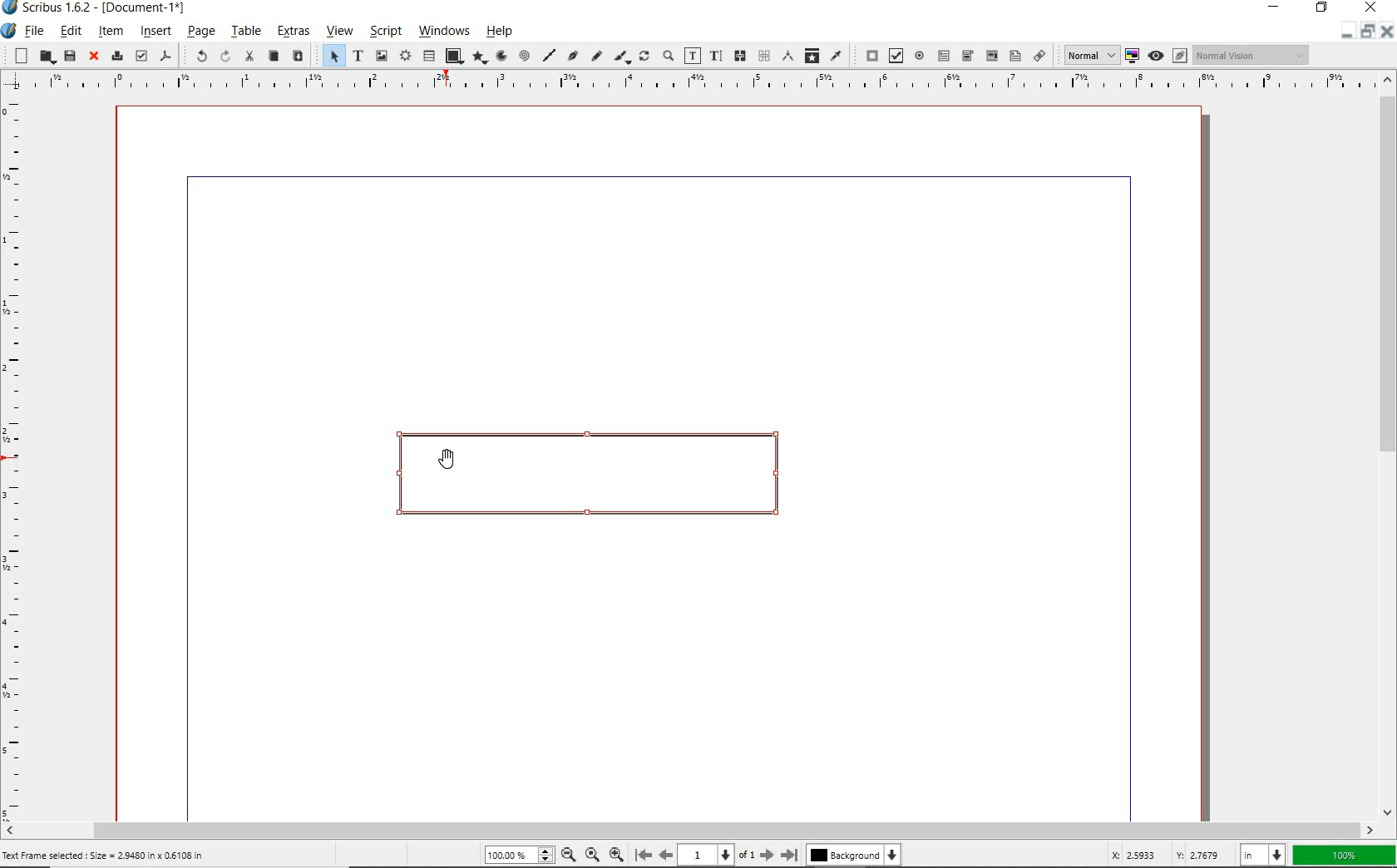  What do you see at coordinates (738, 56) in the screenshot?
I see `link text frames` at bounding box center [738, 56].